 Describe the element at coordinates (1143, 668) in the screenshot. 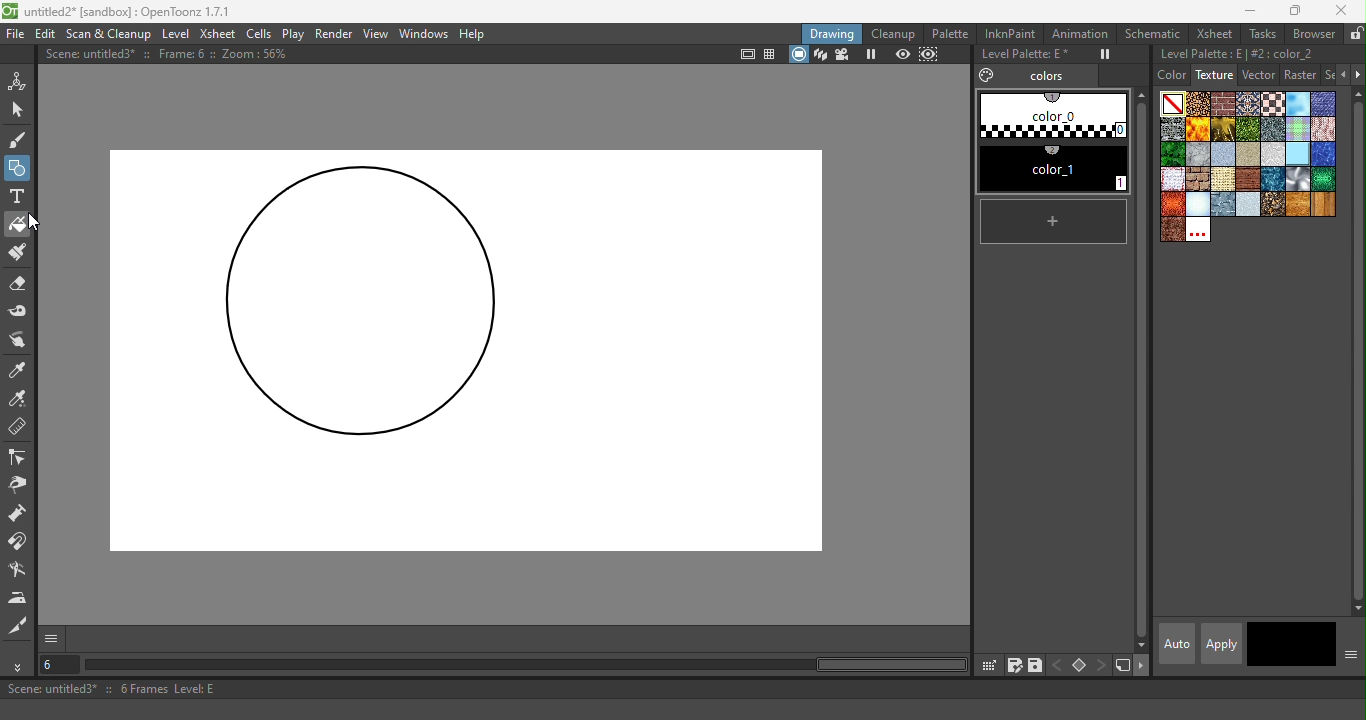

I see `next ` at that location.